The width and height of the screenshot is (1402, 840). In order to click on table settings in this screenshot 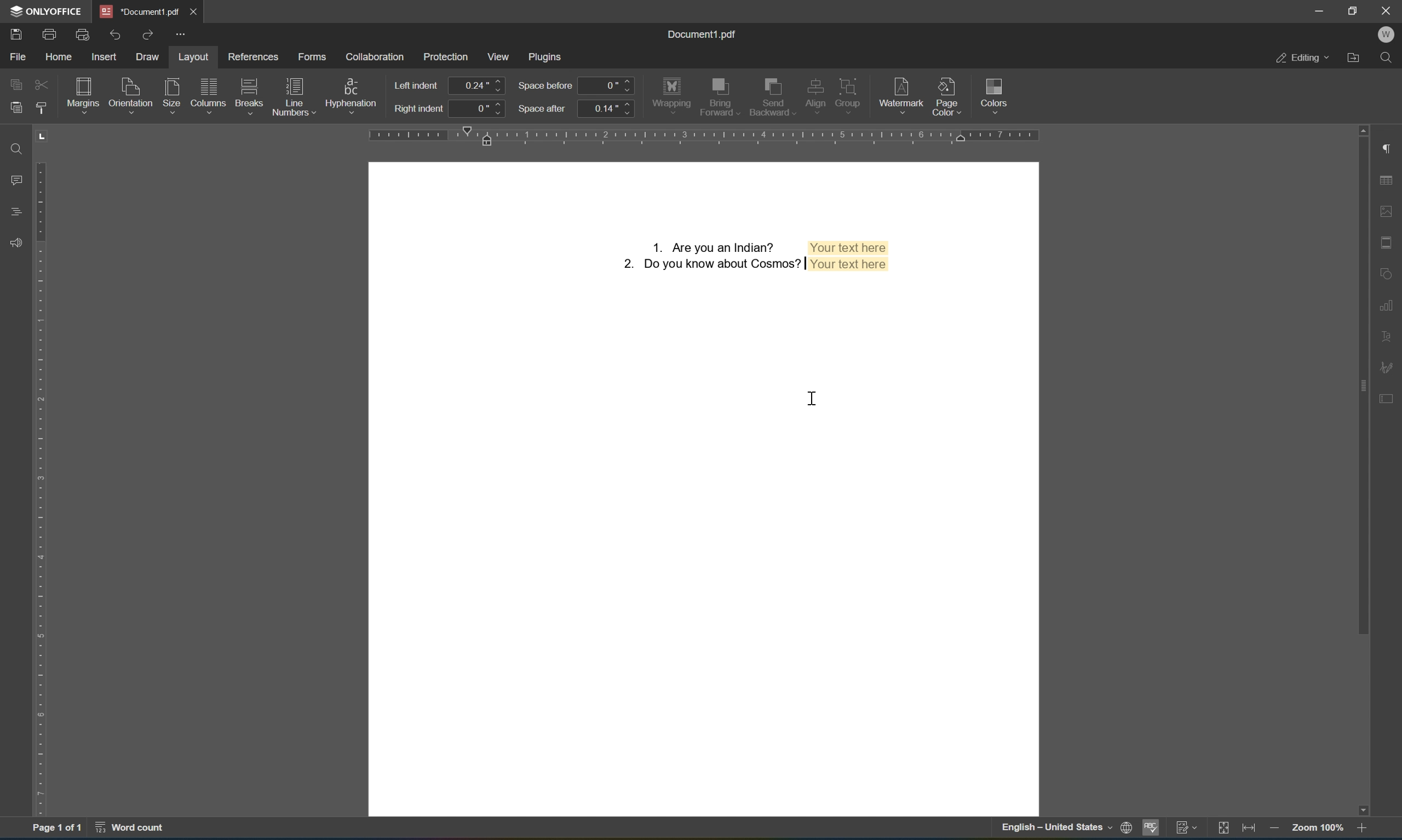, I will do `click(1390, 182)`.